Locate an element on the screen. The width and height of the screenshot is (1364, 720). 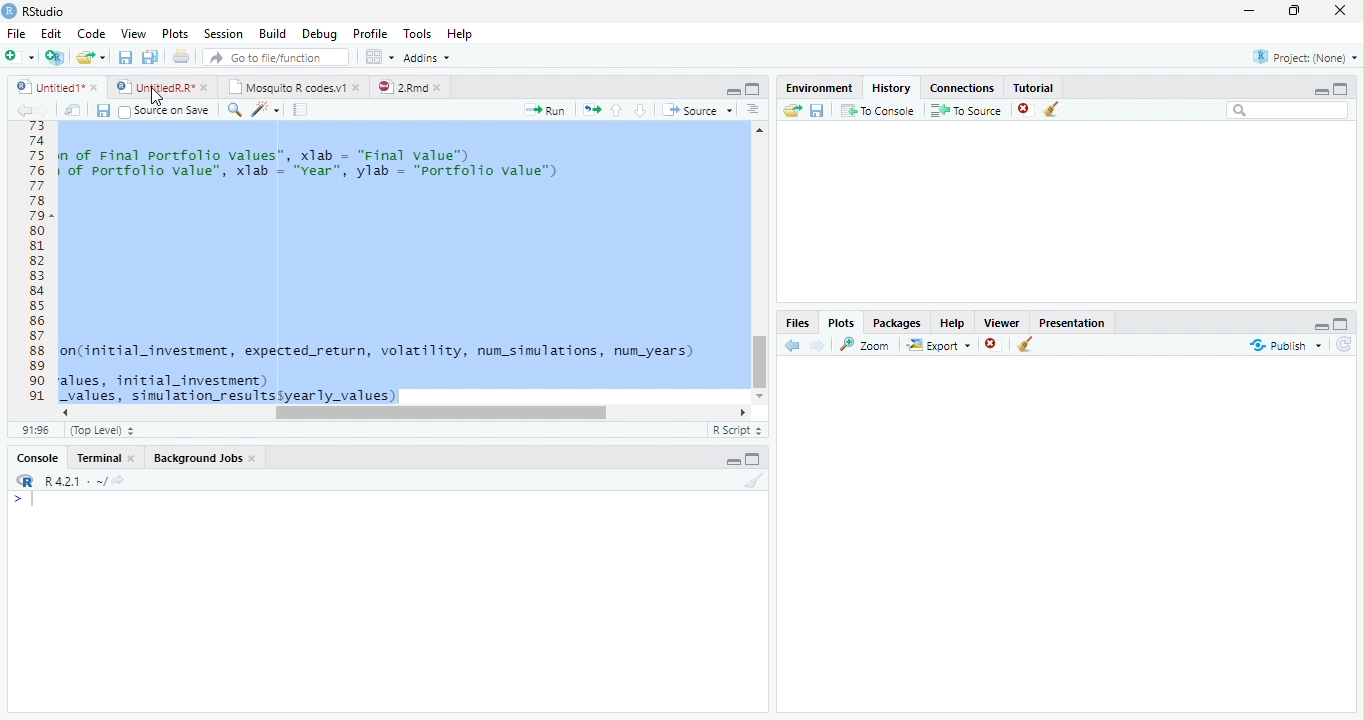
Show document outline is located at coordinates (753, 111).